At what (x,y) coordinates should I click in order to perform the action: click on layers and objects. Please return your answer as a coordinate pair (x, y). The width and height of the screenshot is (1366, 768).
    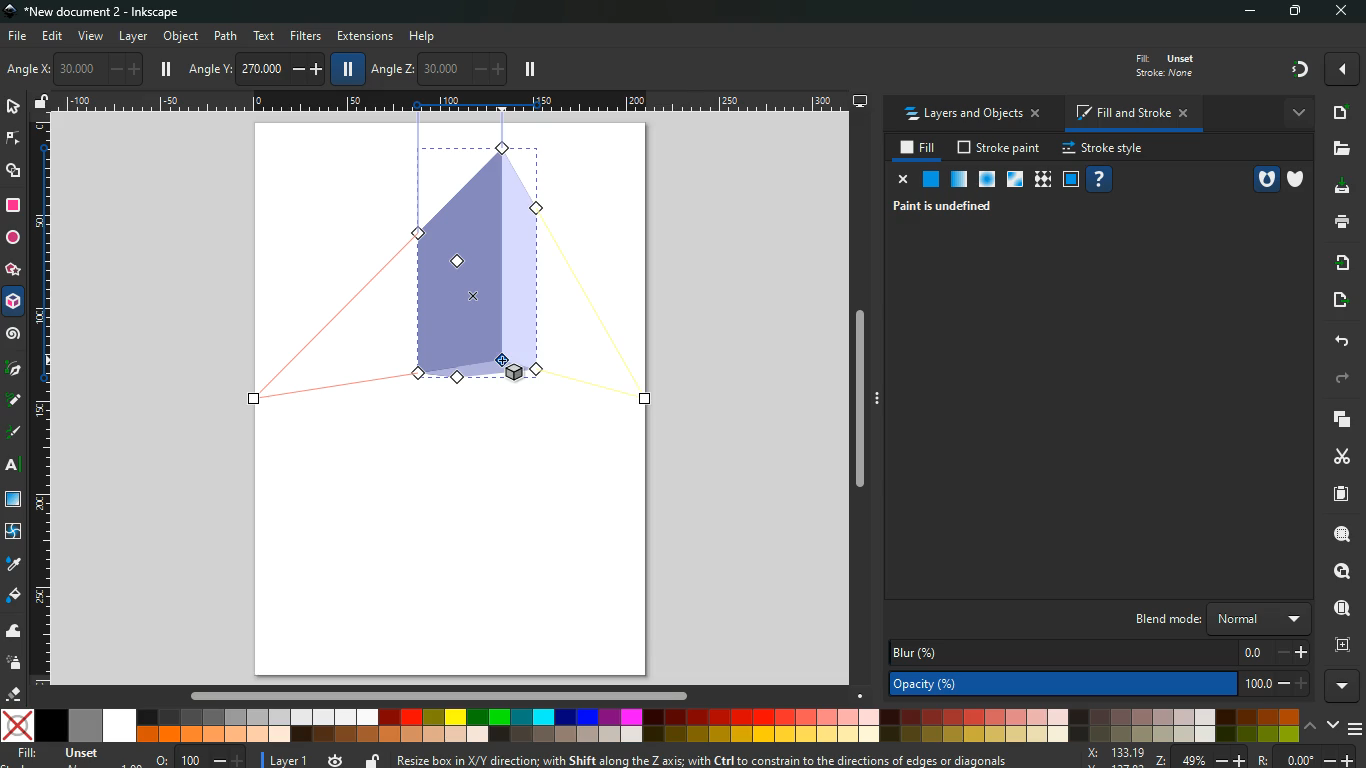
    Looking at the image, I should click on (972, 115).